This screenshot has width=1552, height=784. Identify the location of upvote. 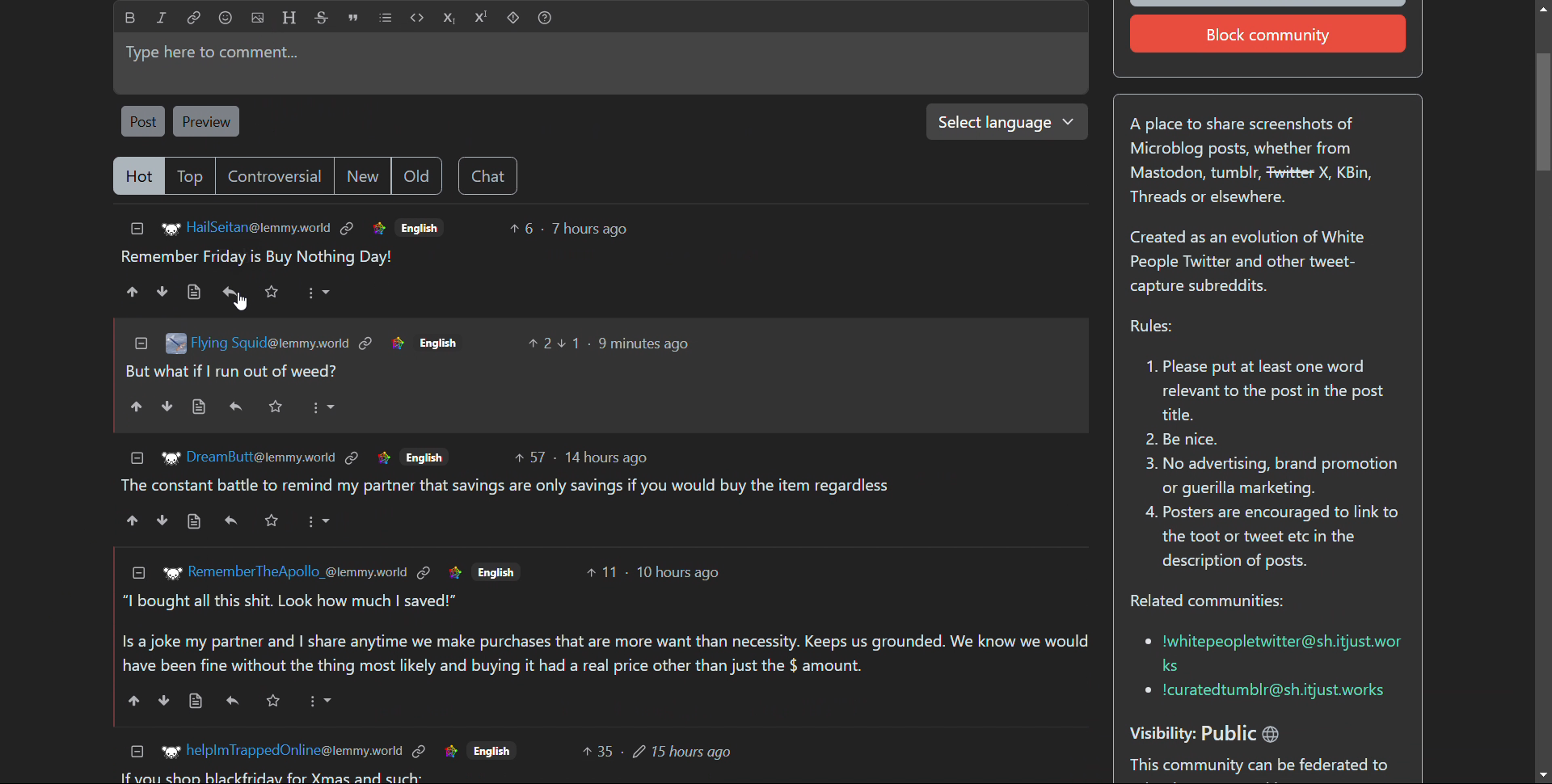
(136, 702).